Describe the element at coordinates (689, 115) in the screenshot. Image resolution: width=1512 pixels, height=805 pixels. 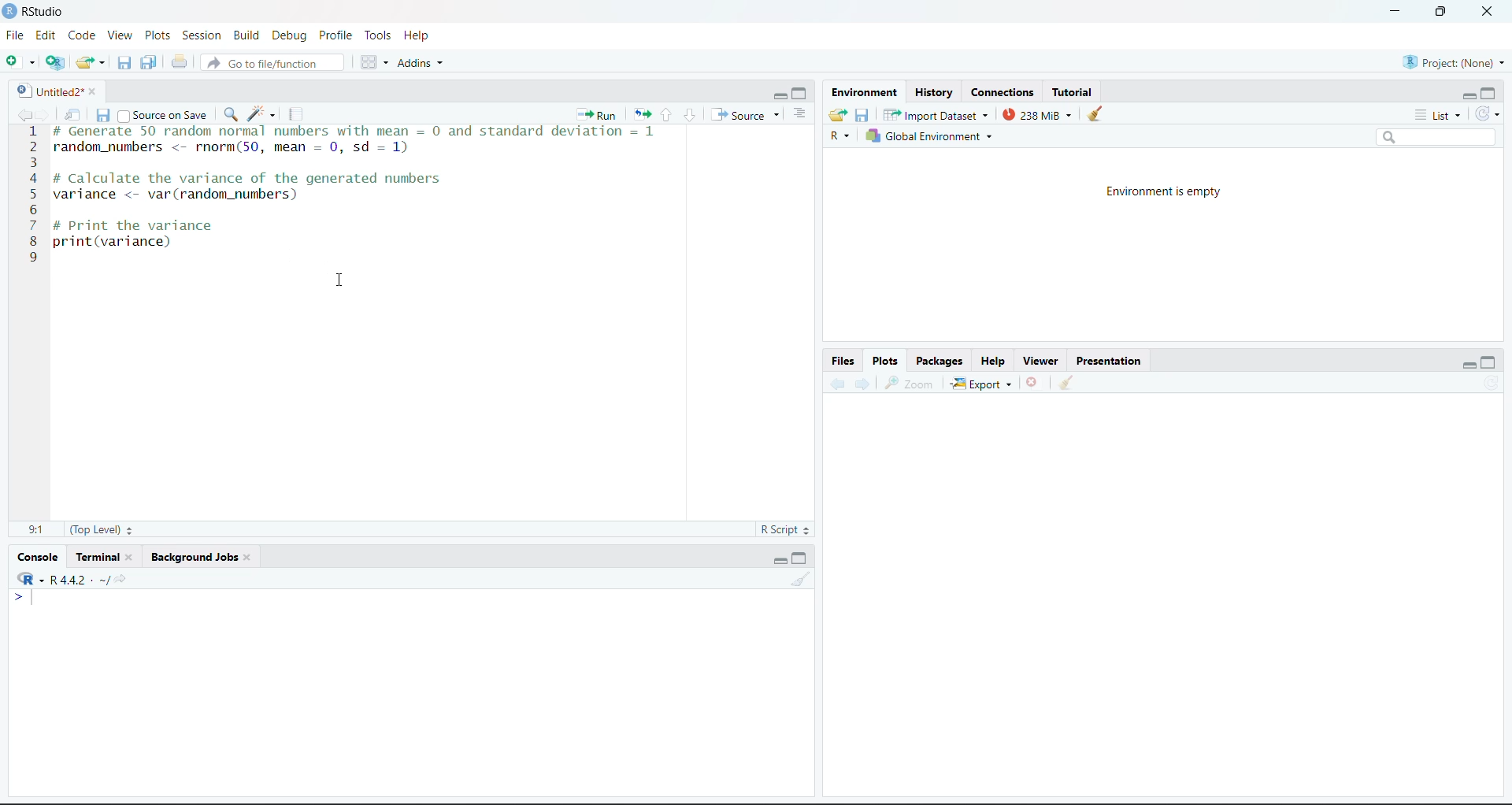
I see `down` at that location.